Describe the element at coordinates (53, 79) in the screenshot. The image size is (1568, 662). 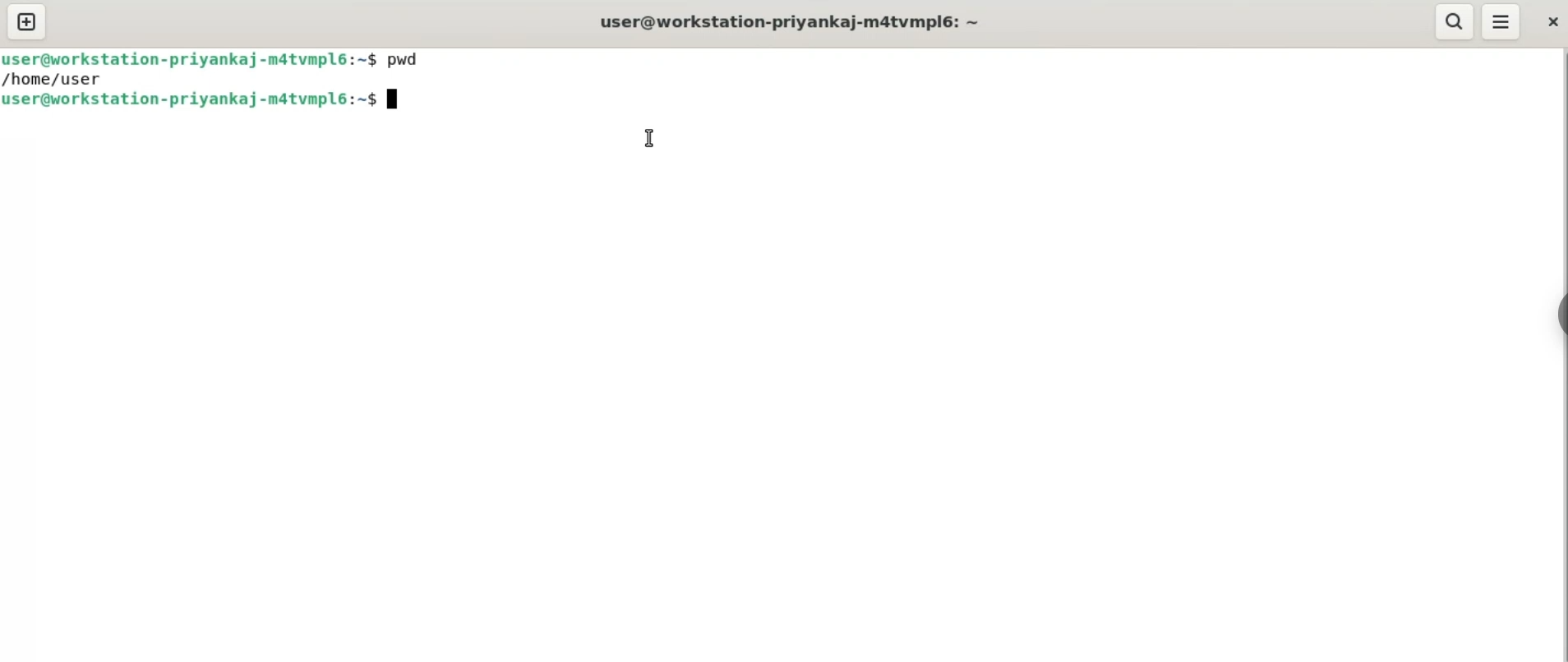
I see `/home/user` at that location.